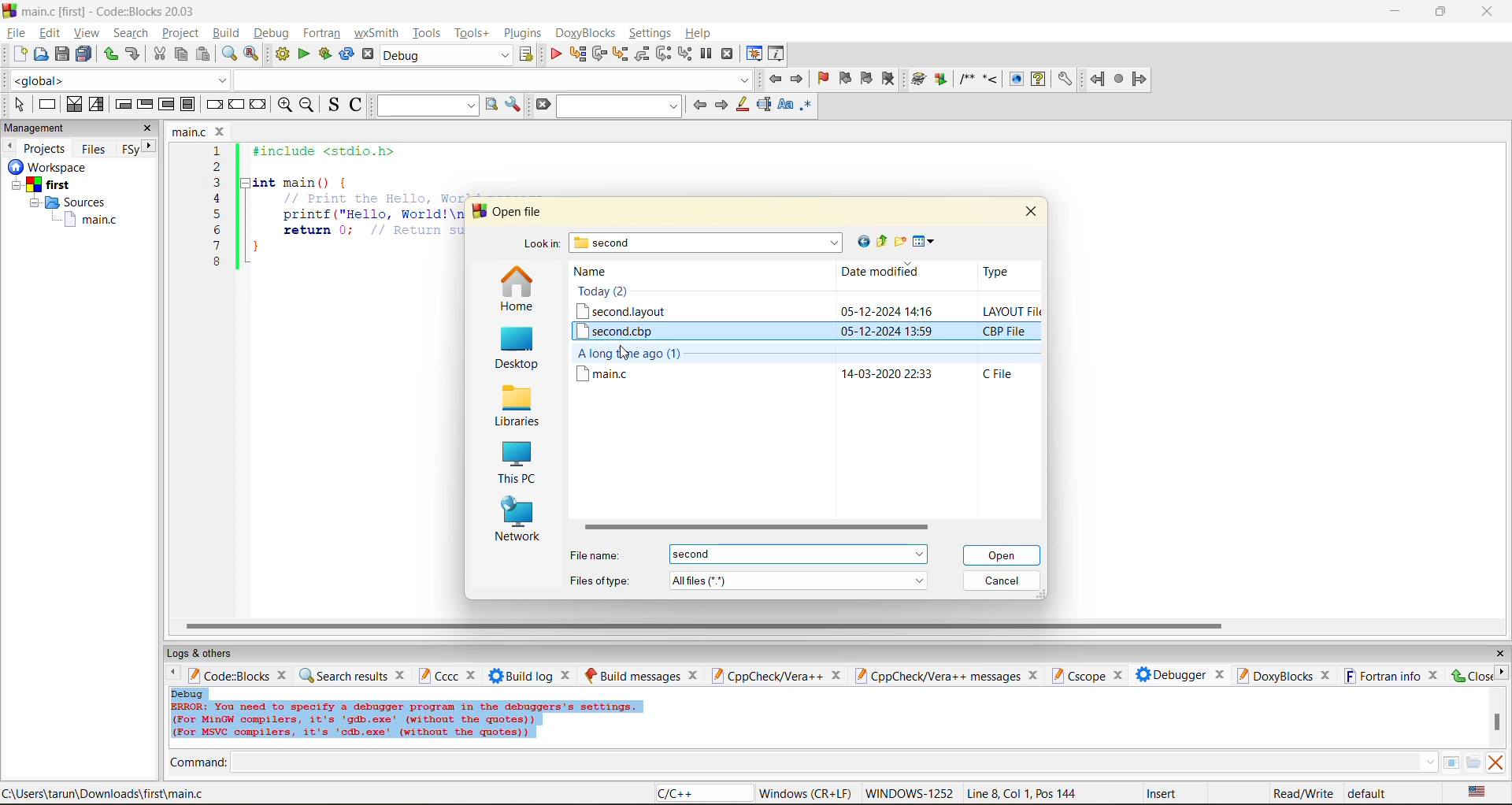 This screenshot has height=805, width=1512. Describe the element at coordinates (37, 129) in the screenshot. I see `management` at that location.